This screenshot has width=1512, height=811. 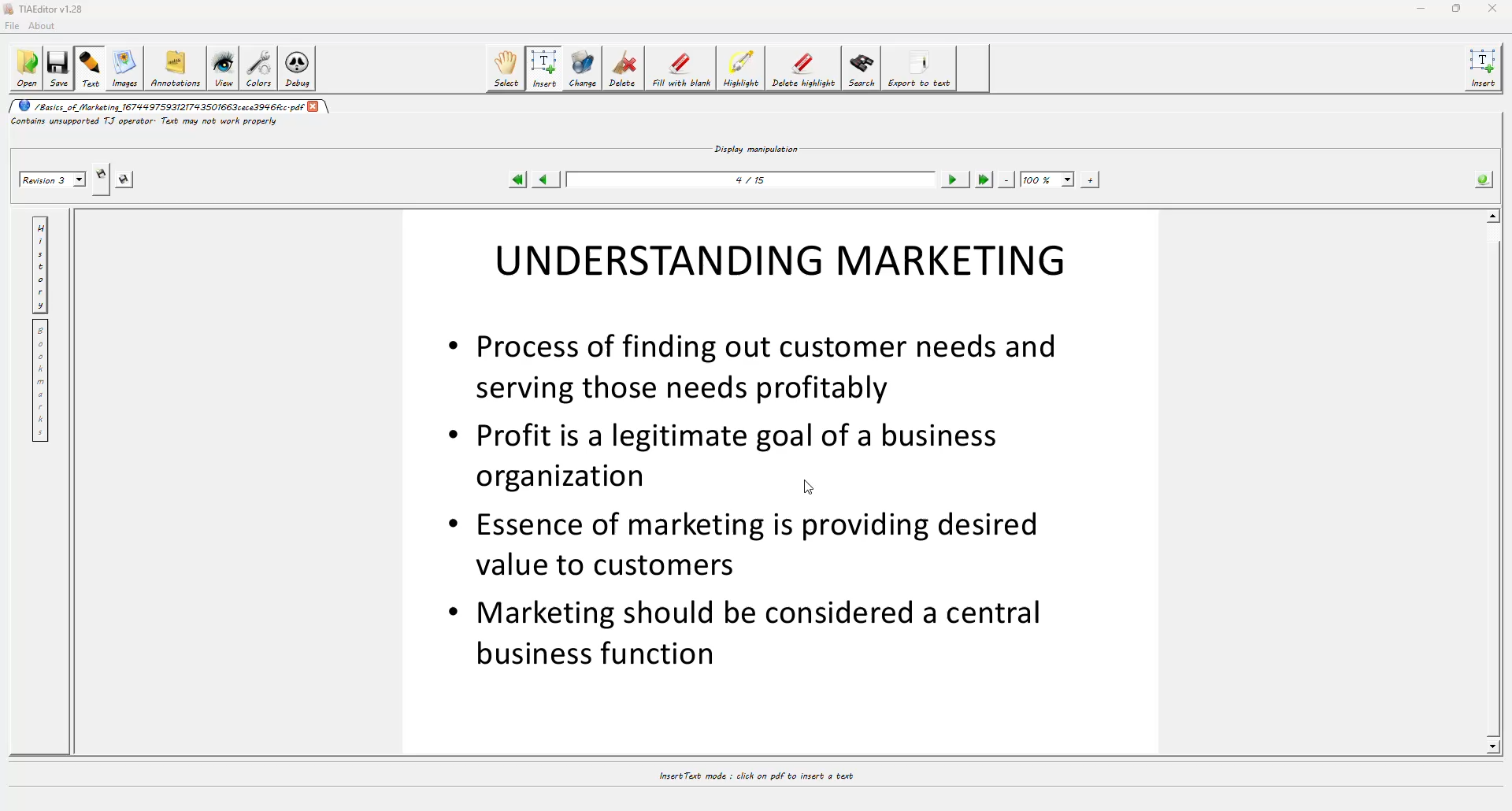 I want to click on bookmarks, so click(x=43, y=381).